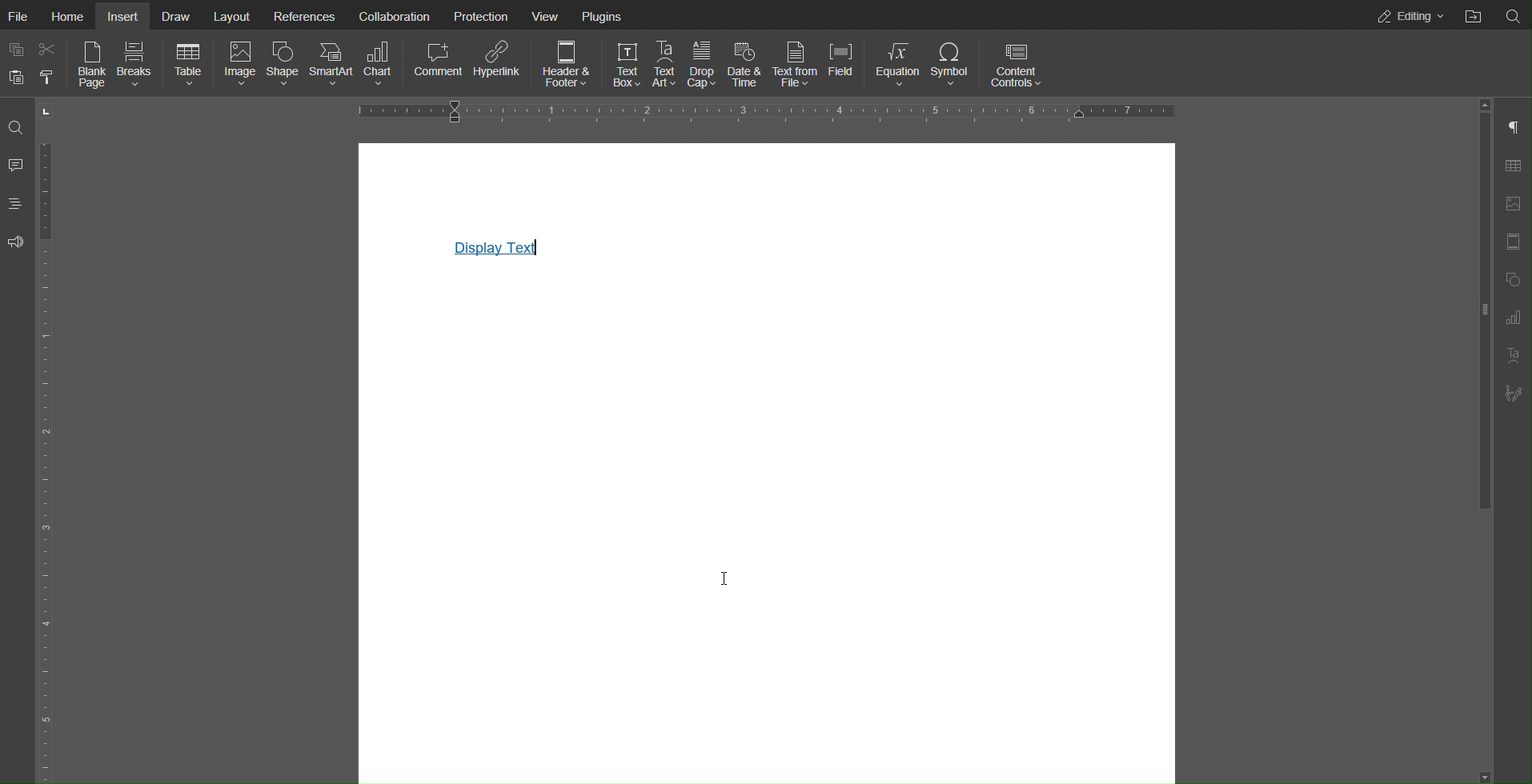  I want to click on Image Settings, so click(1512, 204).